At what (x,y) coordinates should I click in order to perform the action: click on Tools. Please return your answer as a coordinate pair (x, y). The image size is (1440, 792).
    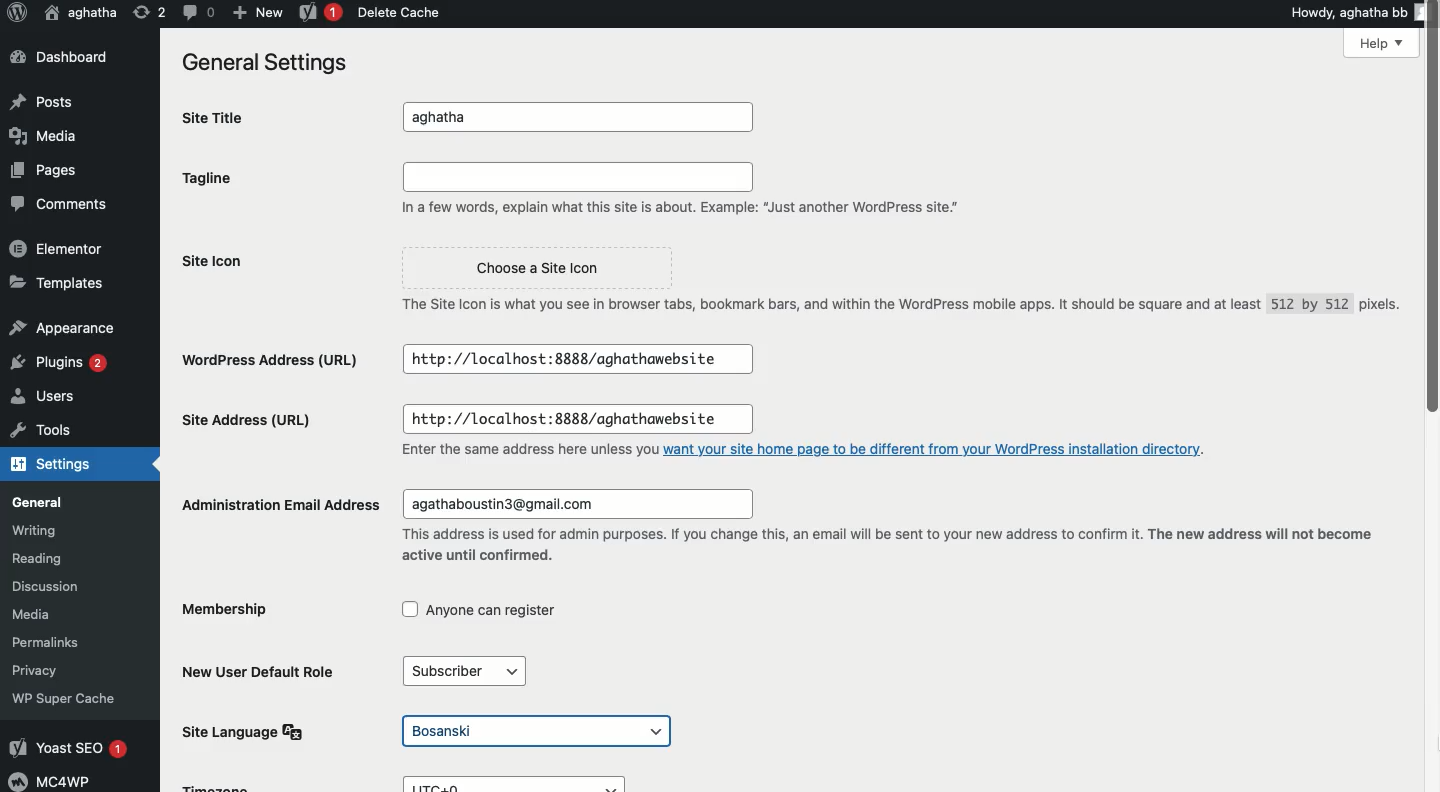
    Looking at the image, I should click on (37, 431).